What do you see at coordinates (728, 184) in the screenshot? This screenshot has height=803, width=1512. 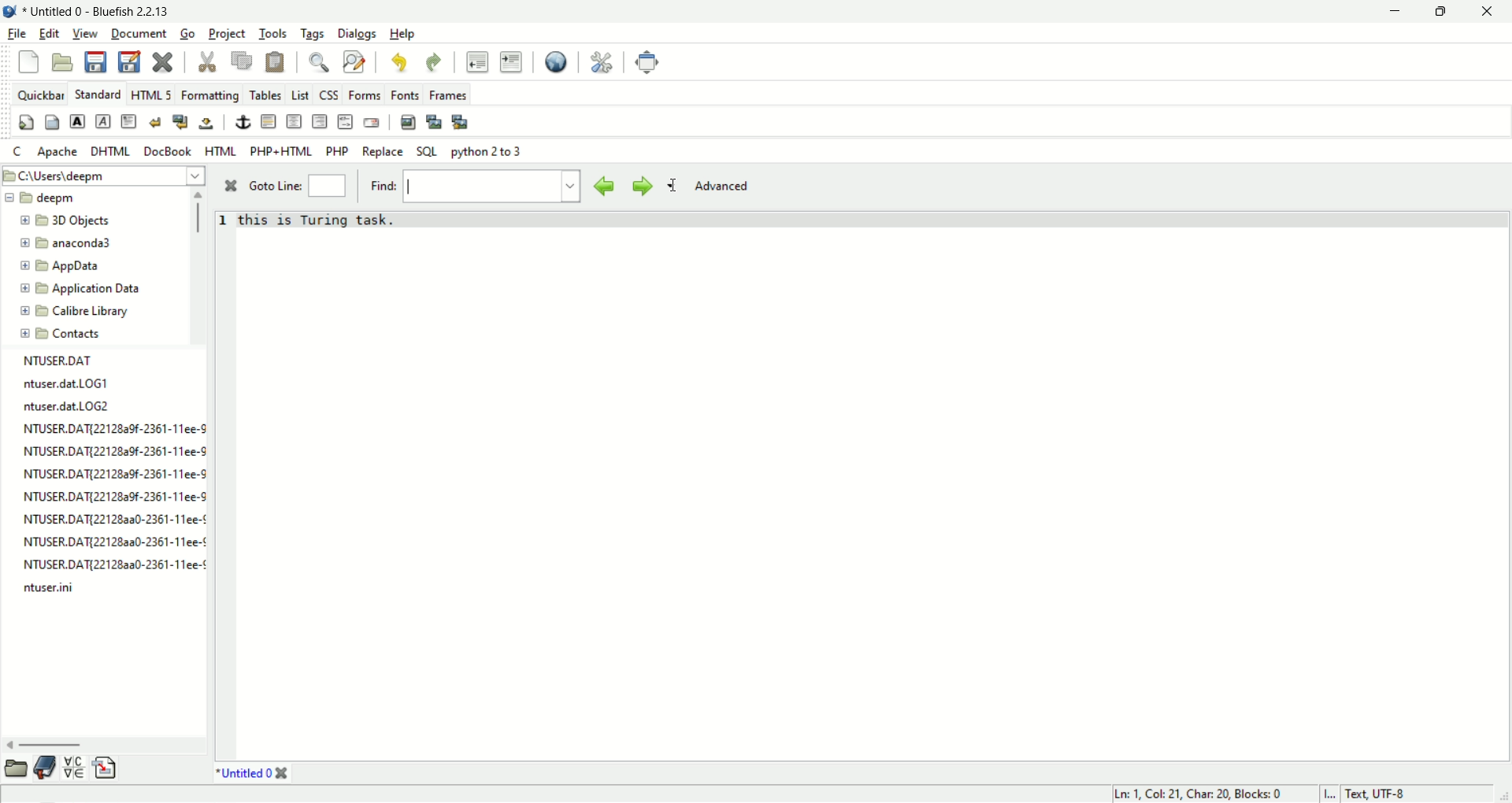 I see `advanced` at bounding box center [728, 184].